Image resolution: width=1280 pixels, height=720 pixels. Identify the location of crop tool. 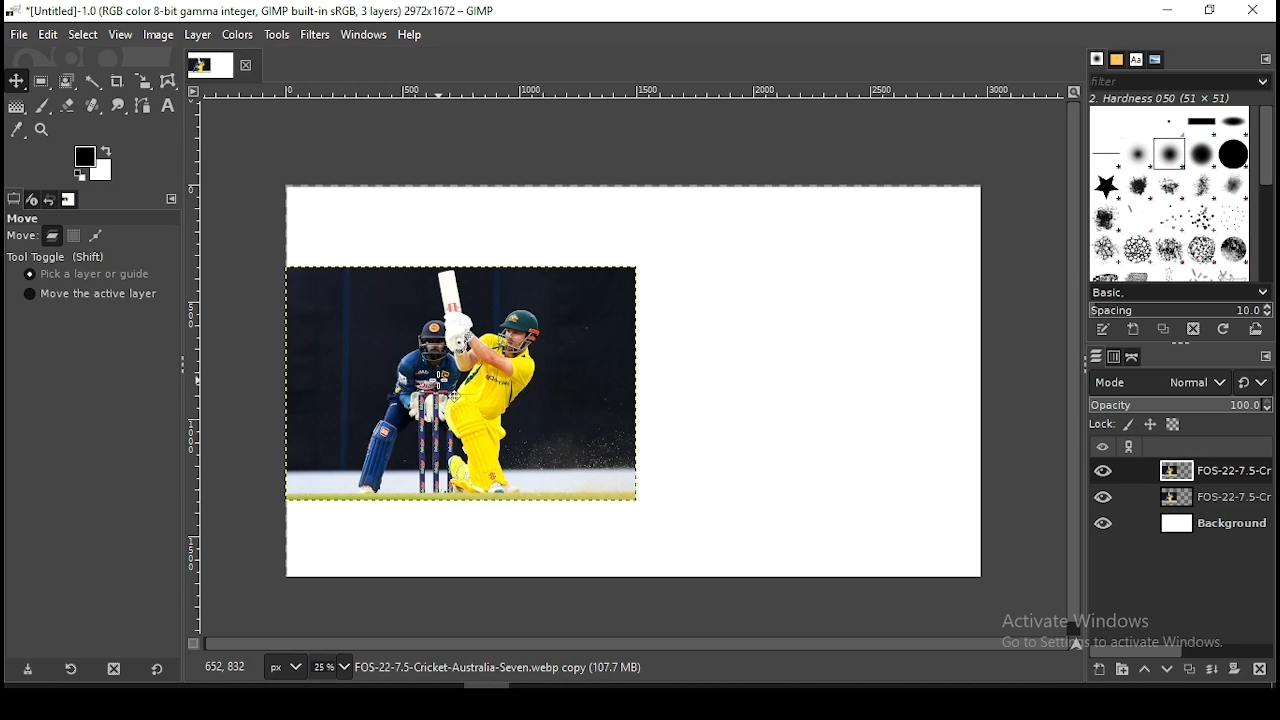
(140, 82).